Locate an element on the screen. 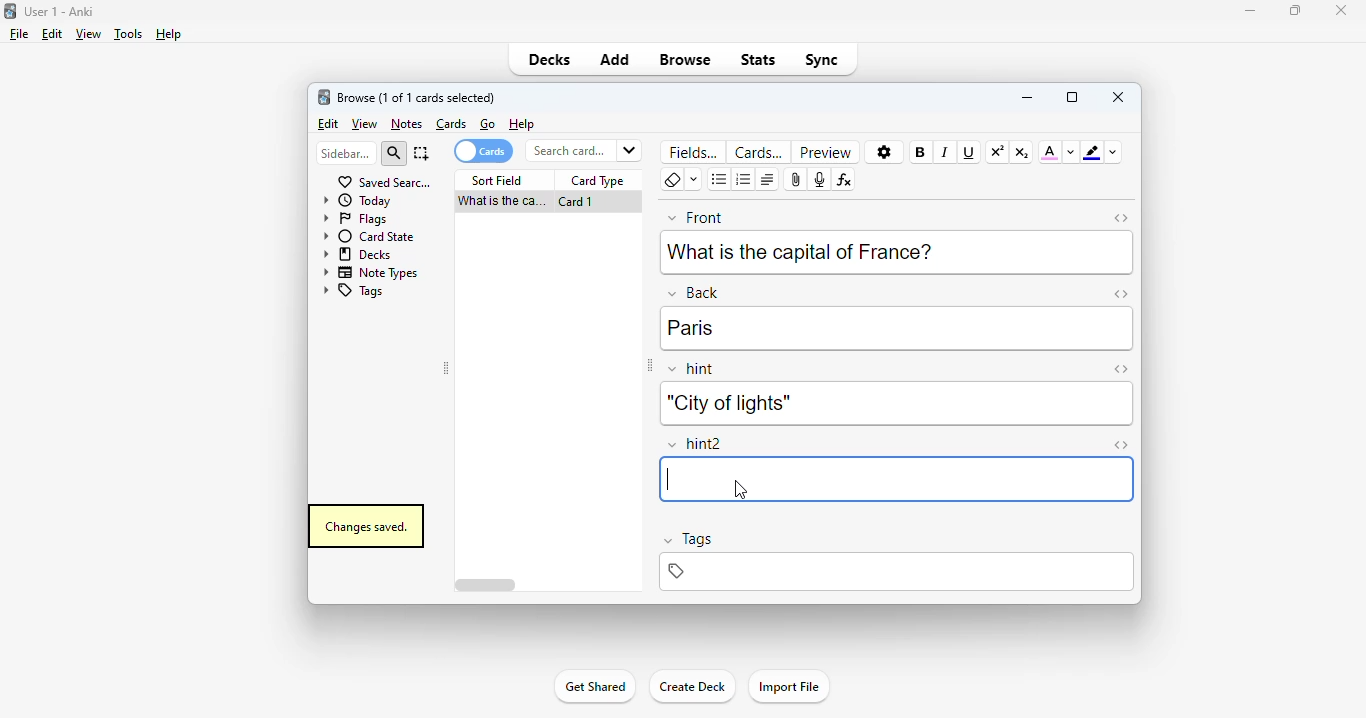 The width and height of the screenshot is (1366, 718). create deck is located at coordinates (691, 685).